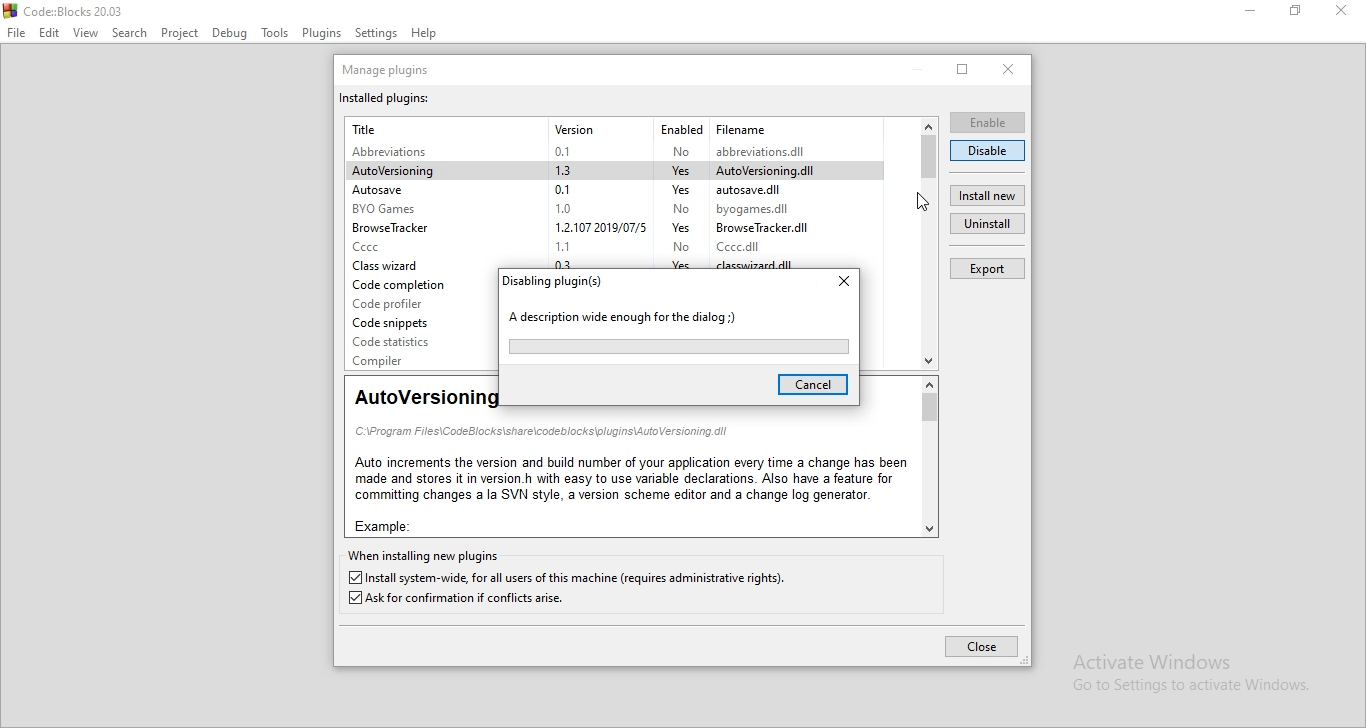 This screenshot has width=1366, height=728. I want to click on Auto increments the version and build number of your application every time a change has beenmade and stores it in version. h with easy to use variable declarations. Also have a feature for‘committing changes a la SVN style, a version scheme editor and a change log generator., so click(628, 478).